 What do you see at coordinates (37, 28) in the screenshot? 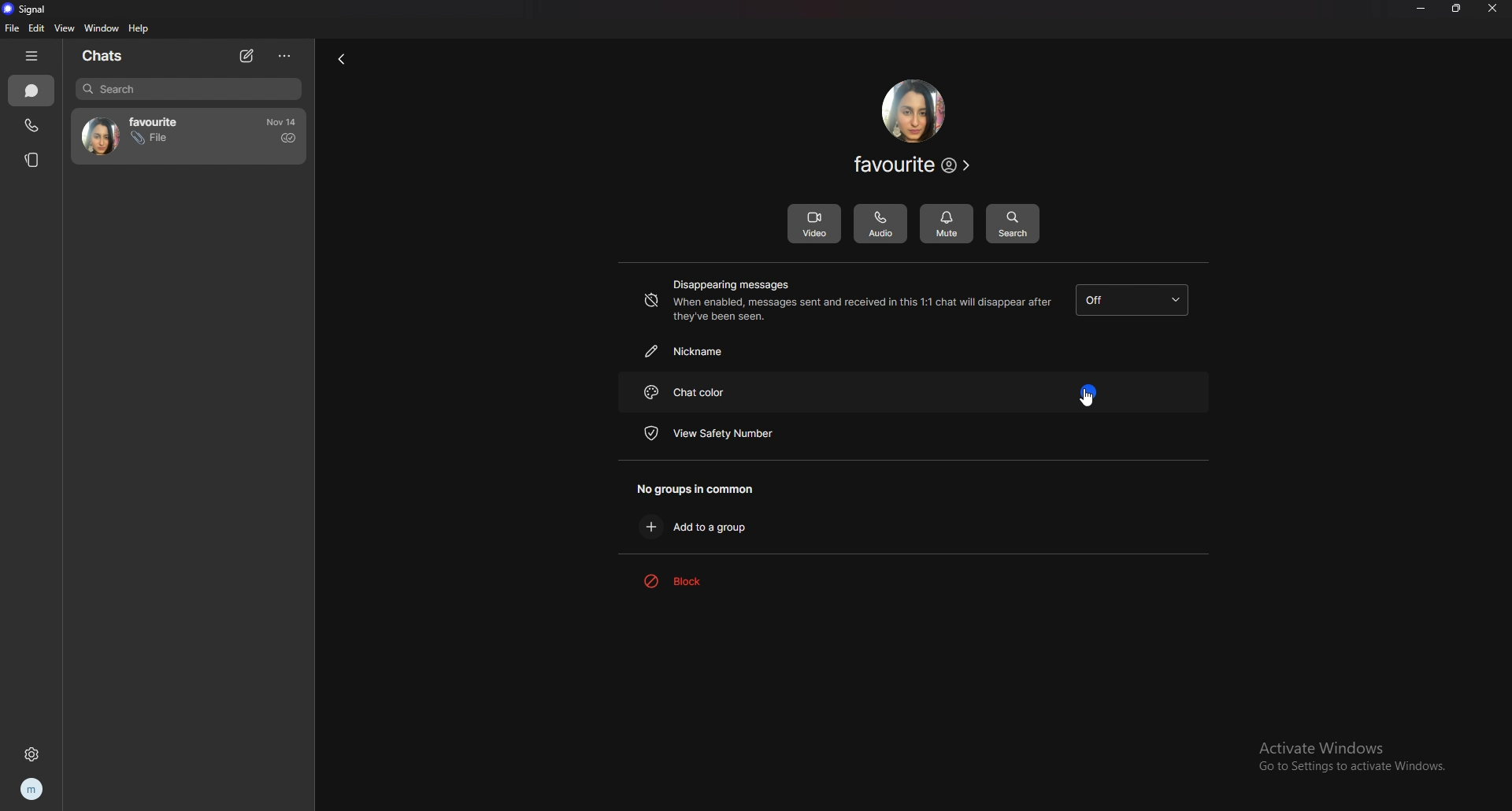
I see `edit` at bounding box center [37, 28].